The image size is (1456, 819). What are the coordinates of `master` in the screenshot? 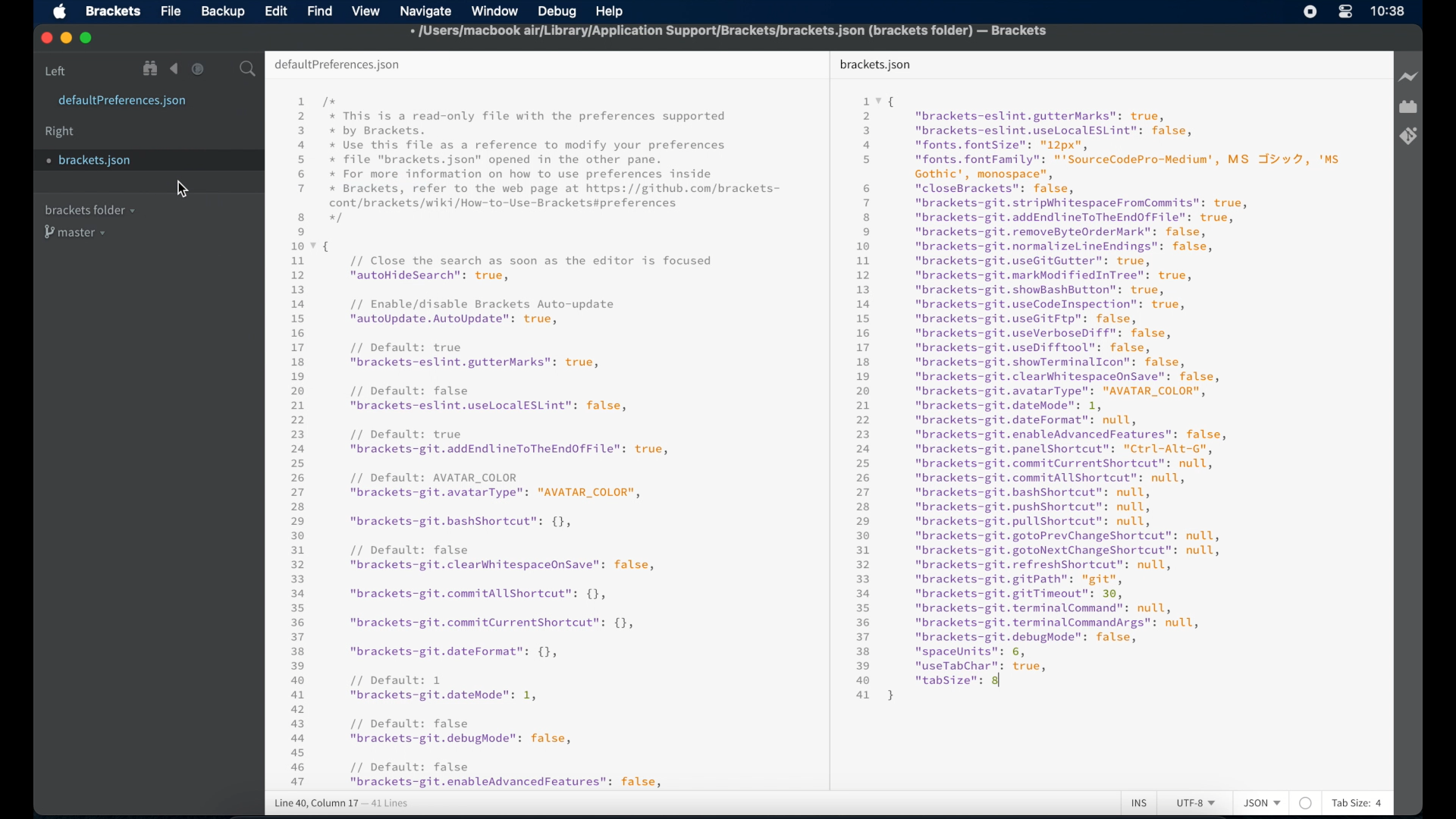 It's located at (77, 232).